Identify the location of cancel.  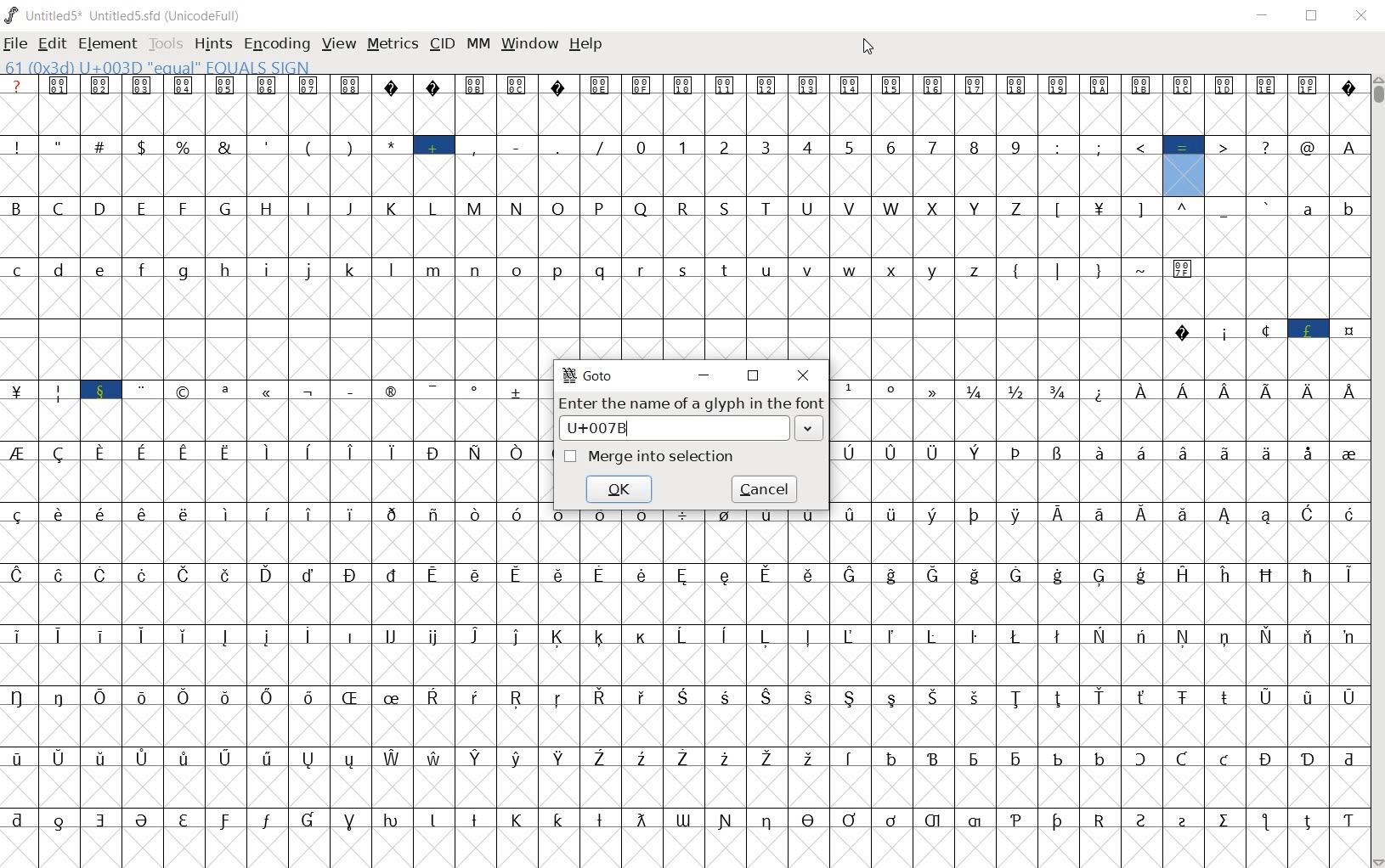
(621, 490).